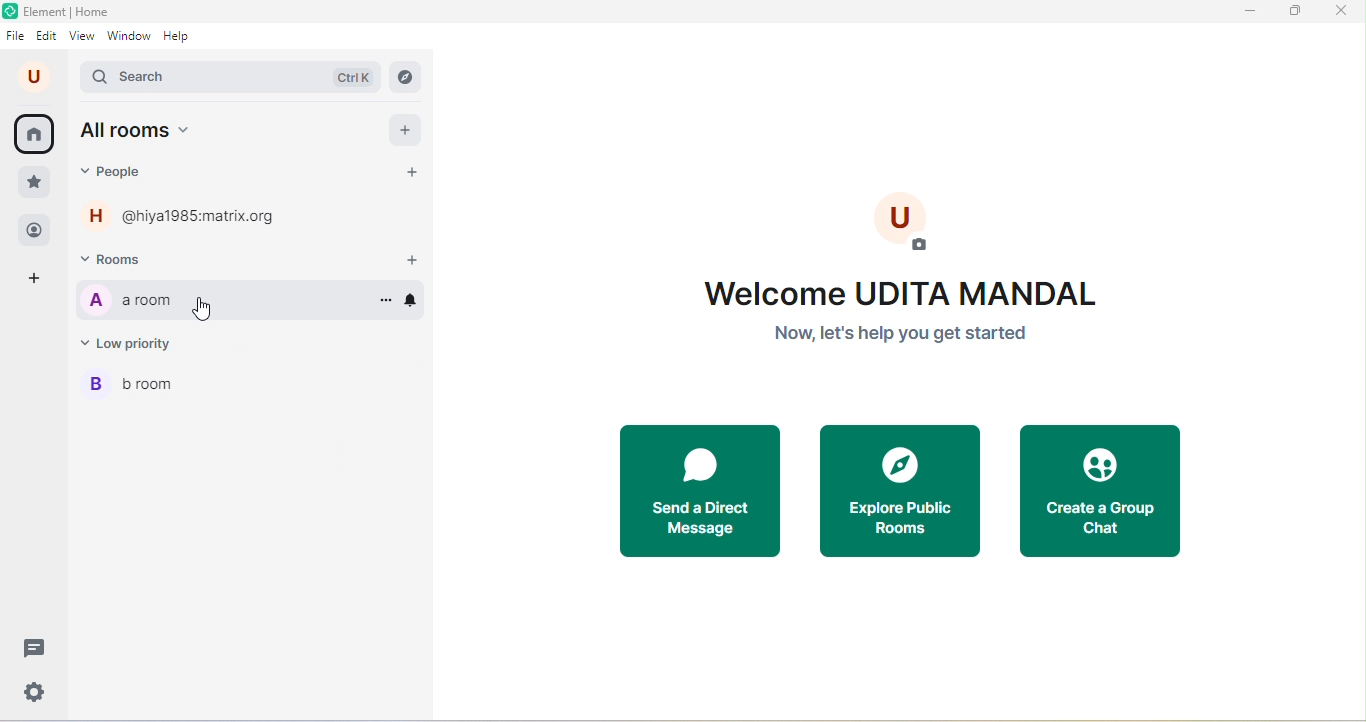 Image resolution: width=1366 pixels, height=722 pixels. I want to click on view, so click(84, 37).